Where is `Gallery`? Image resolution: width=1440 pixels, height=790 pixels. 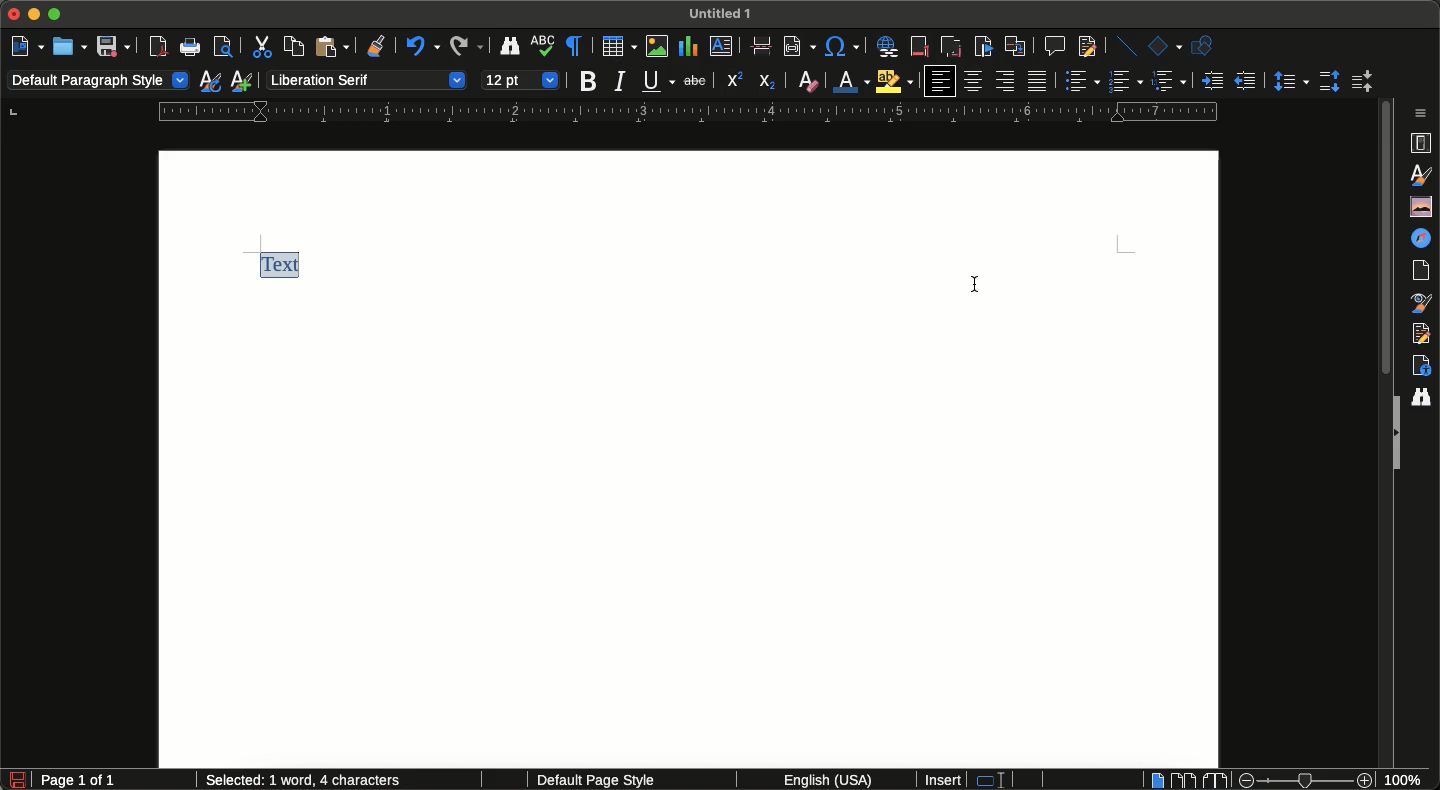 Gallery is located at coordinates (1418, 206).